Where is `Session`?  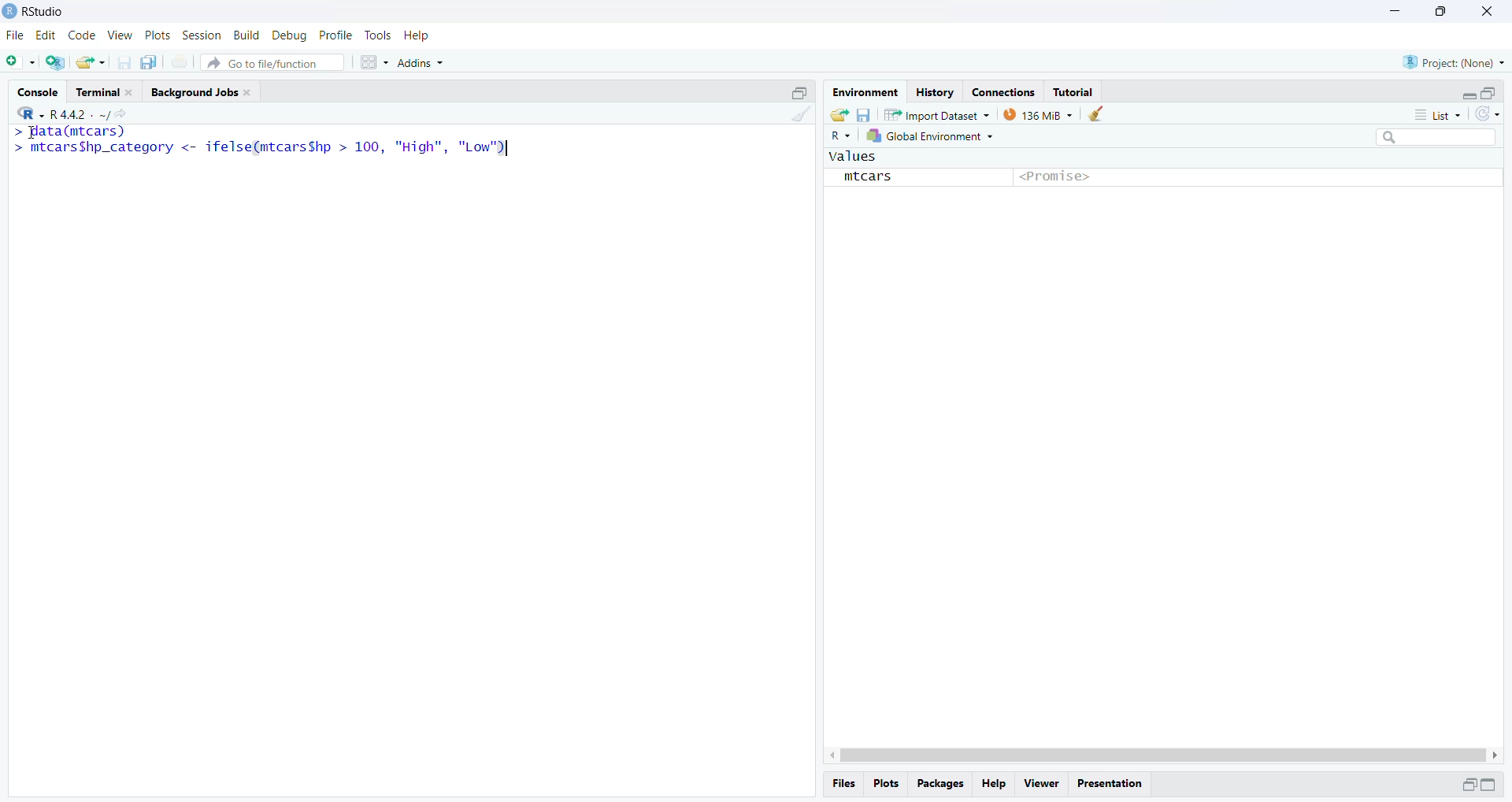
Session is located at coordinates (202, 36).